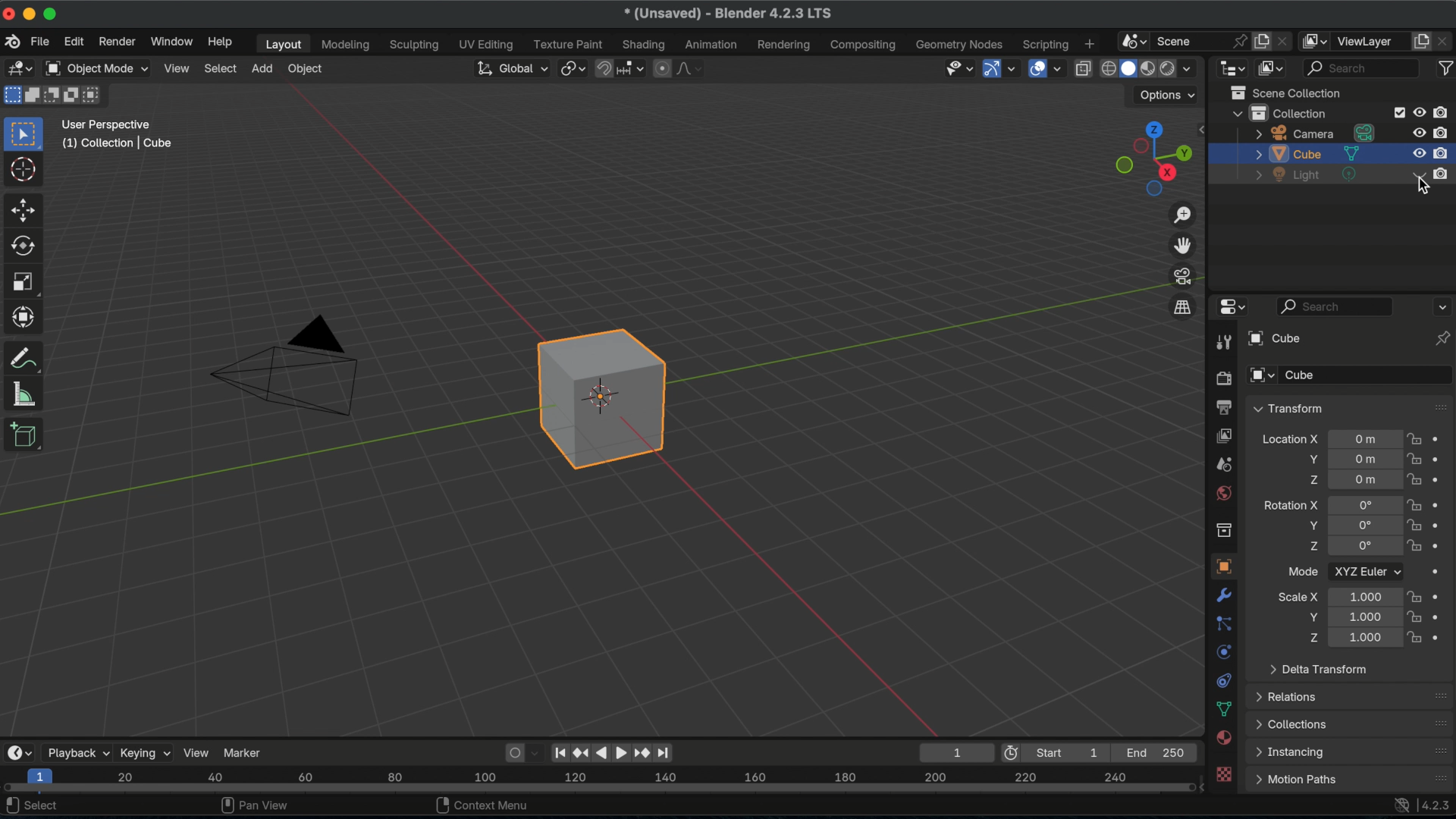 Image resolution: width=1456 pixels, height=819 pixels. Describe the element at coordinates (1414, 524) in the screenshot. I see `lock rotation` at that location.